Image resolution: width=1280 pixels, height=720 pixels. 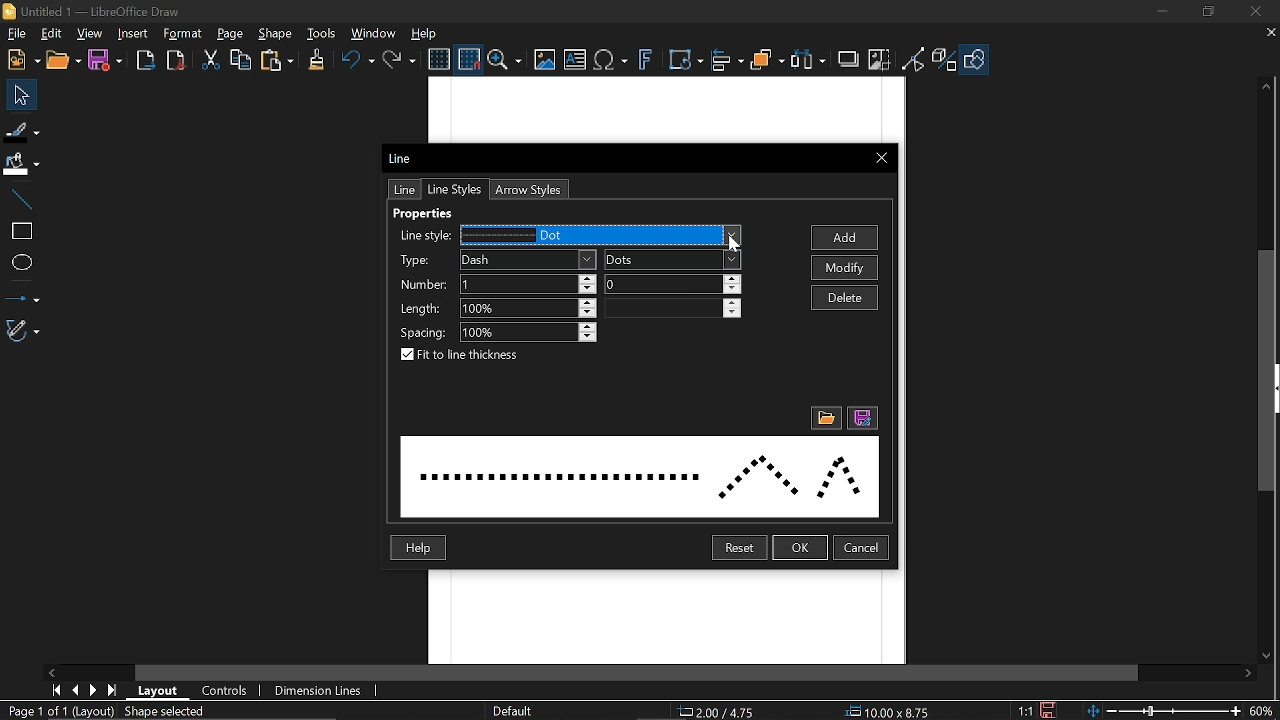 I want to click on Number, so click(x=527, y=284).